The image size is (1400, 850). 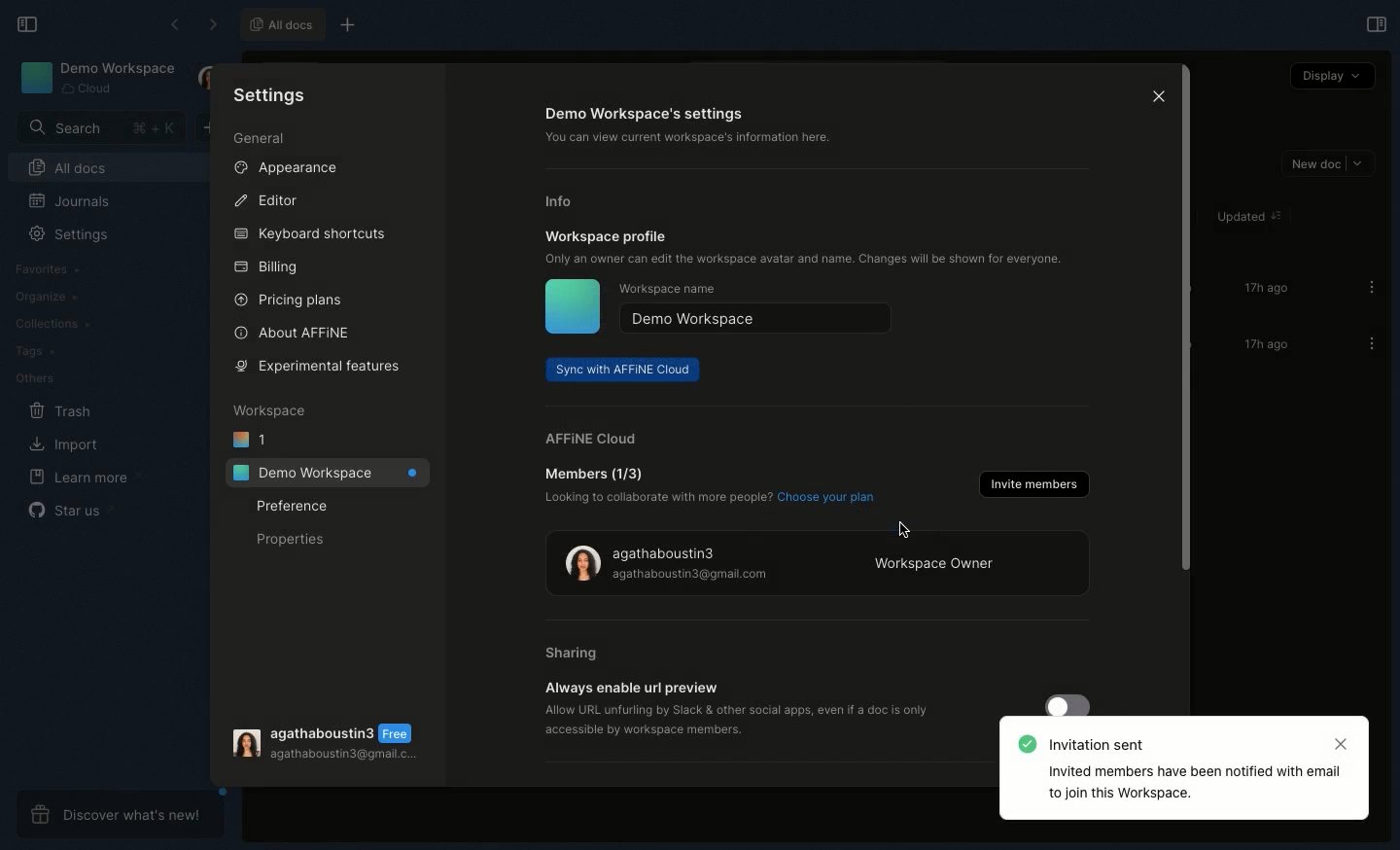 What do you see at coordinates (591, 440) in the screenshot?
I see `AFFINE cloud` at bounding box center [591, 440].